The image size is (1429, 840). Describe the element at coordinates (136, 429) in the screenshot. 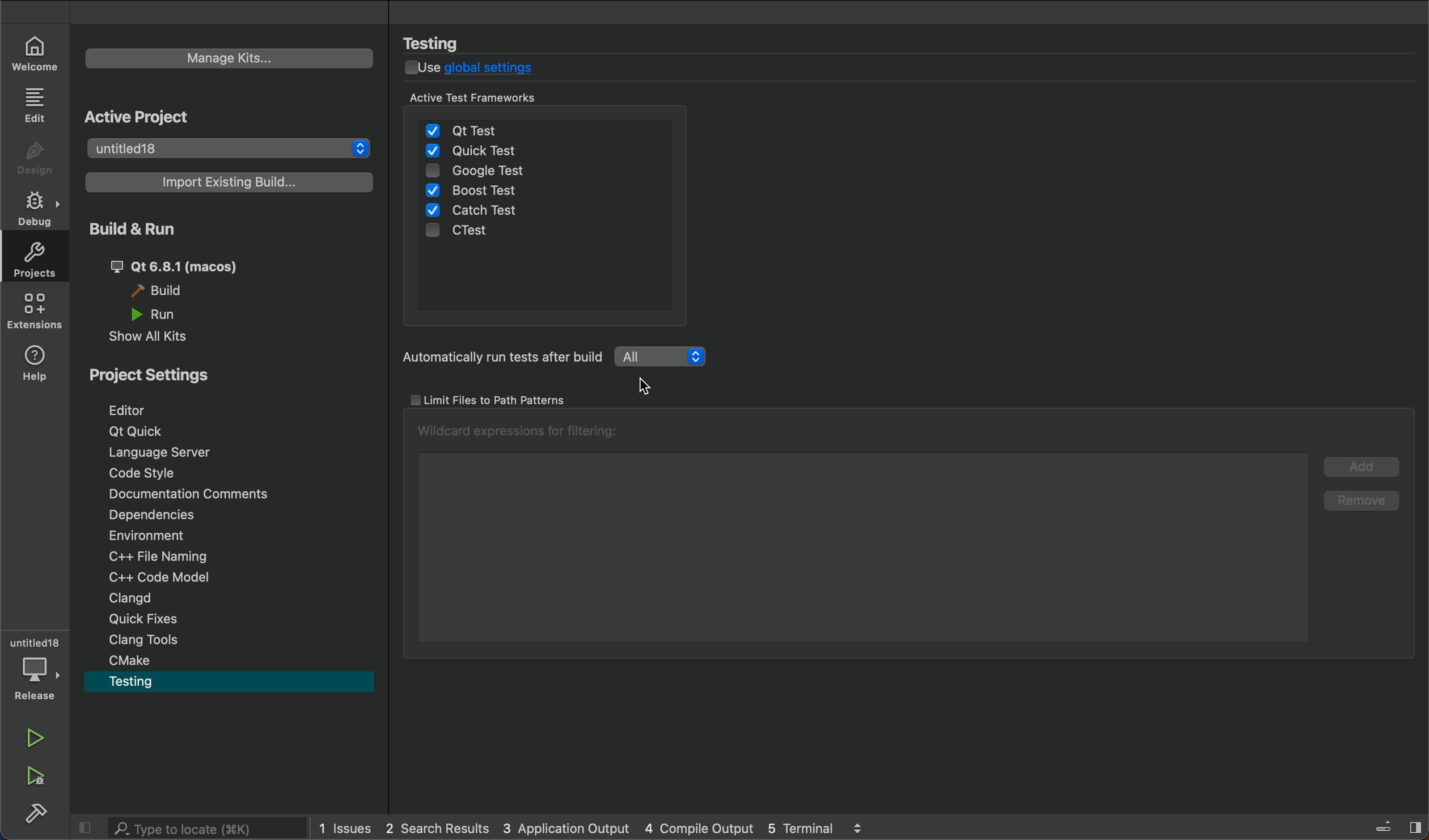

I see `qt quick` at that location.